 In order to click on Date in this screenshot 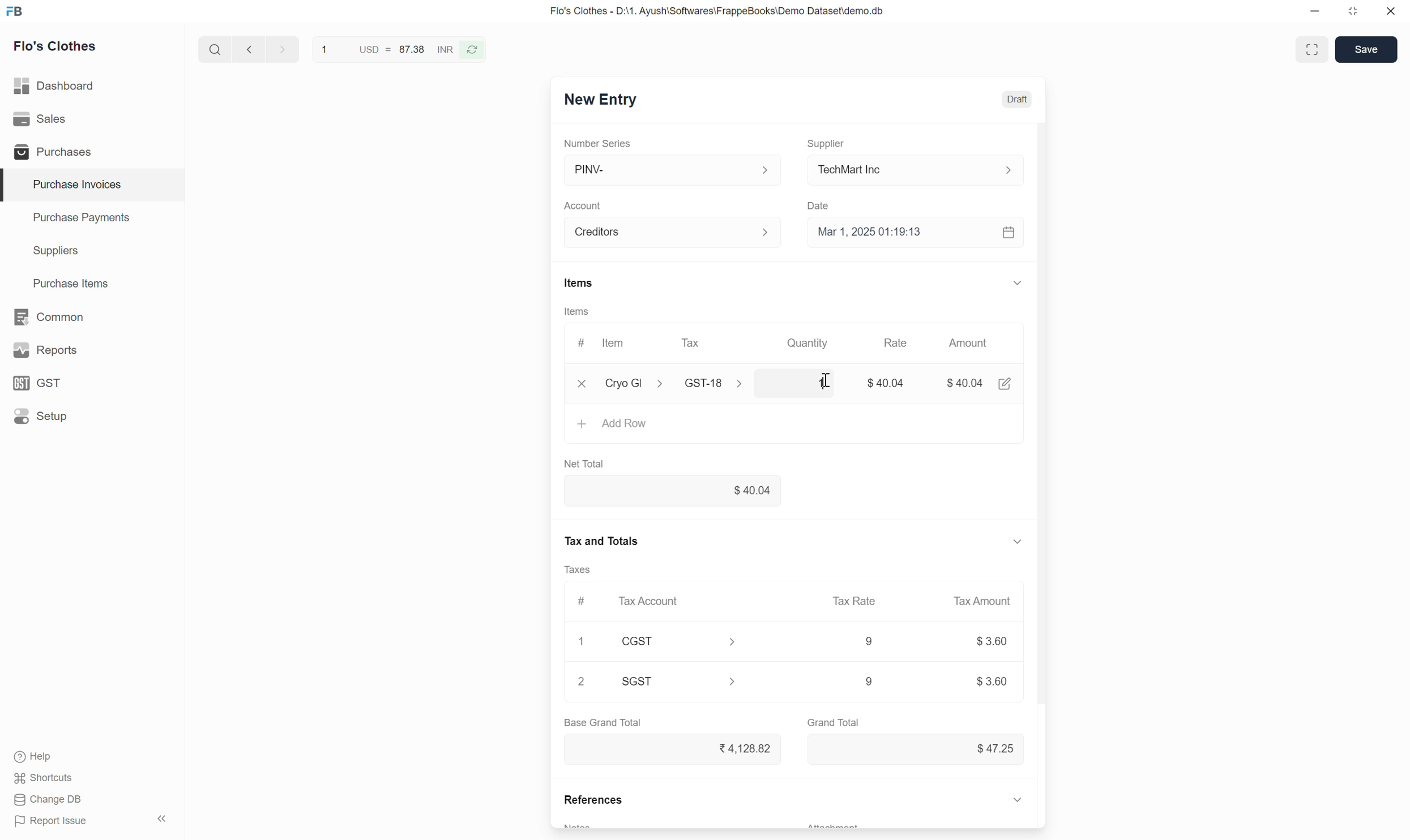, I will do `click(824, 203)`.